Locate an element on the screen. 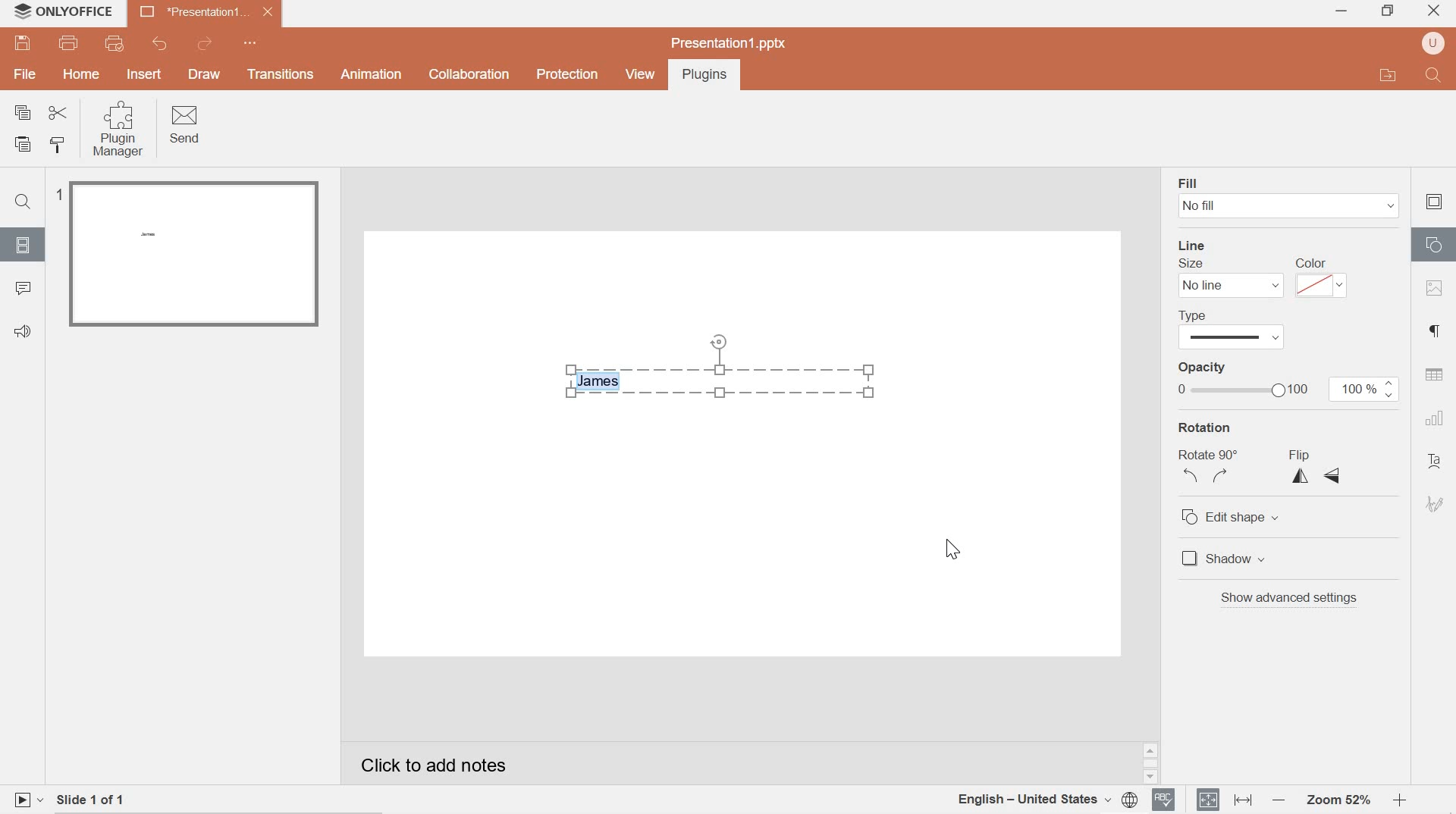 Image resolution: width=1456 pixels, height=814 pixels. spell checker is located at coordinates (1165, 800).